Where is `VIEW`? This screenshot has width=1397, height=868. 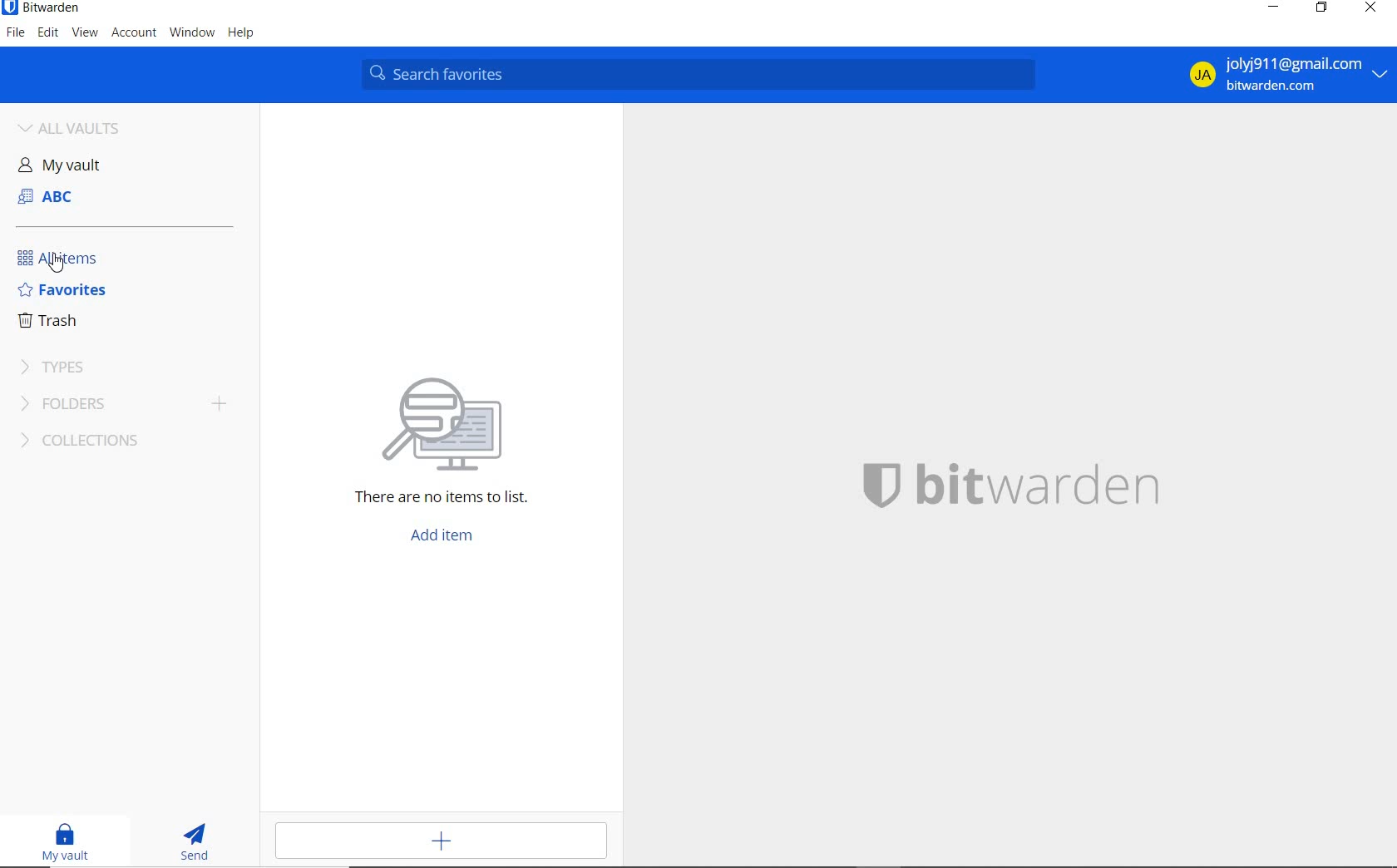
VIEW is located at coordinates (86, 33).